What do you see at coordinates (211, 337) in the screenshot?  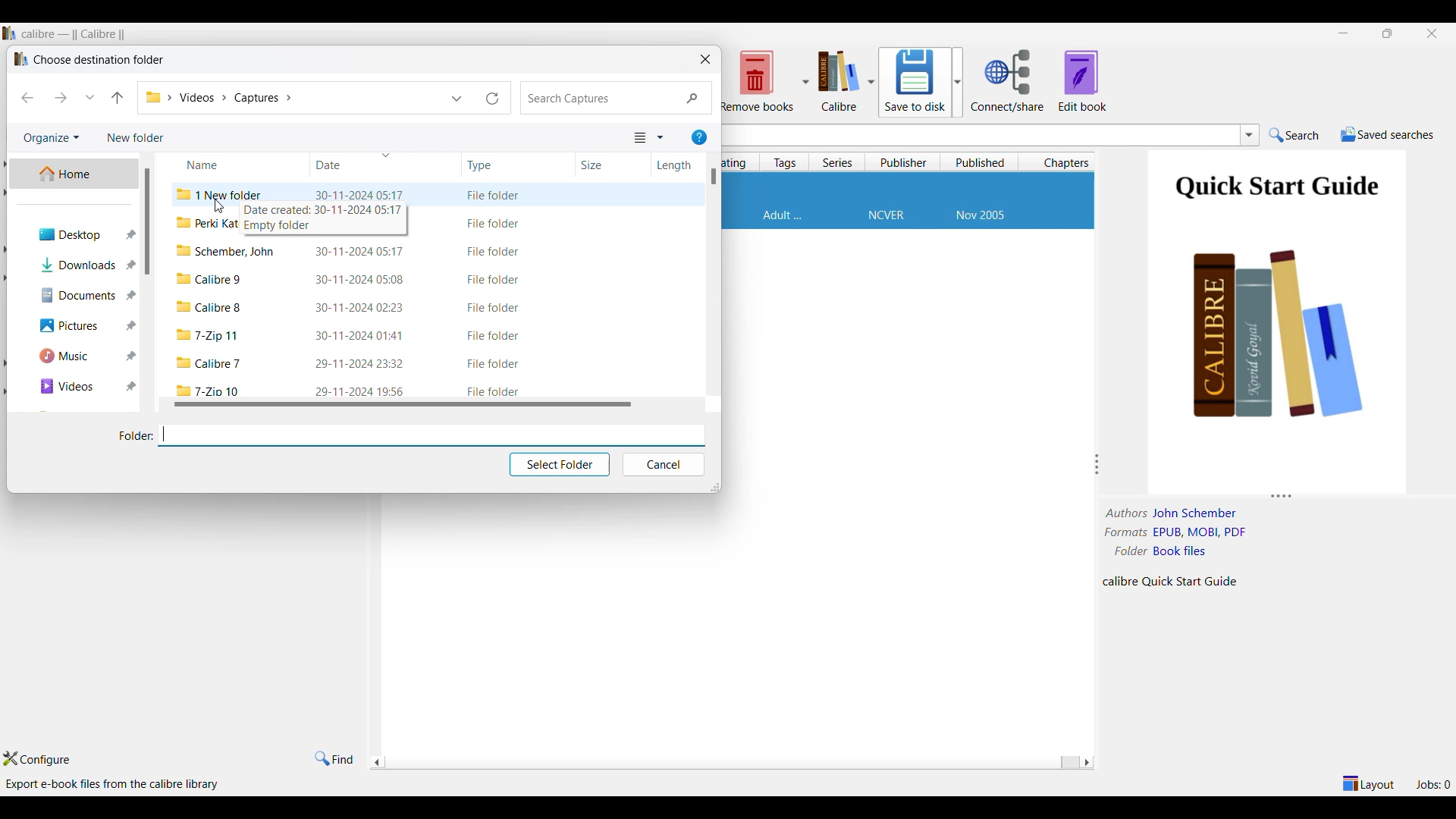 I see `folder` at bounding box center [211, 337].